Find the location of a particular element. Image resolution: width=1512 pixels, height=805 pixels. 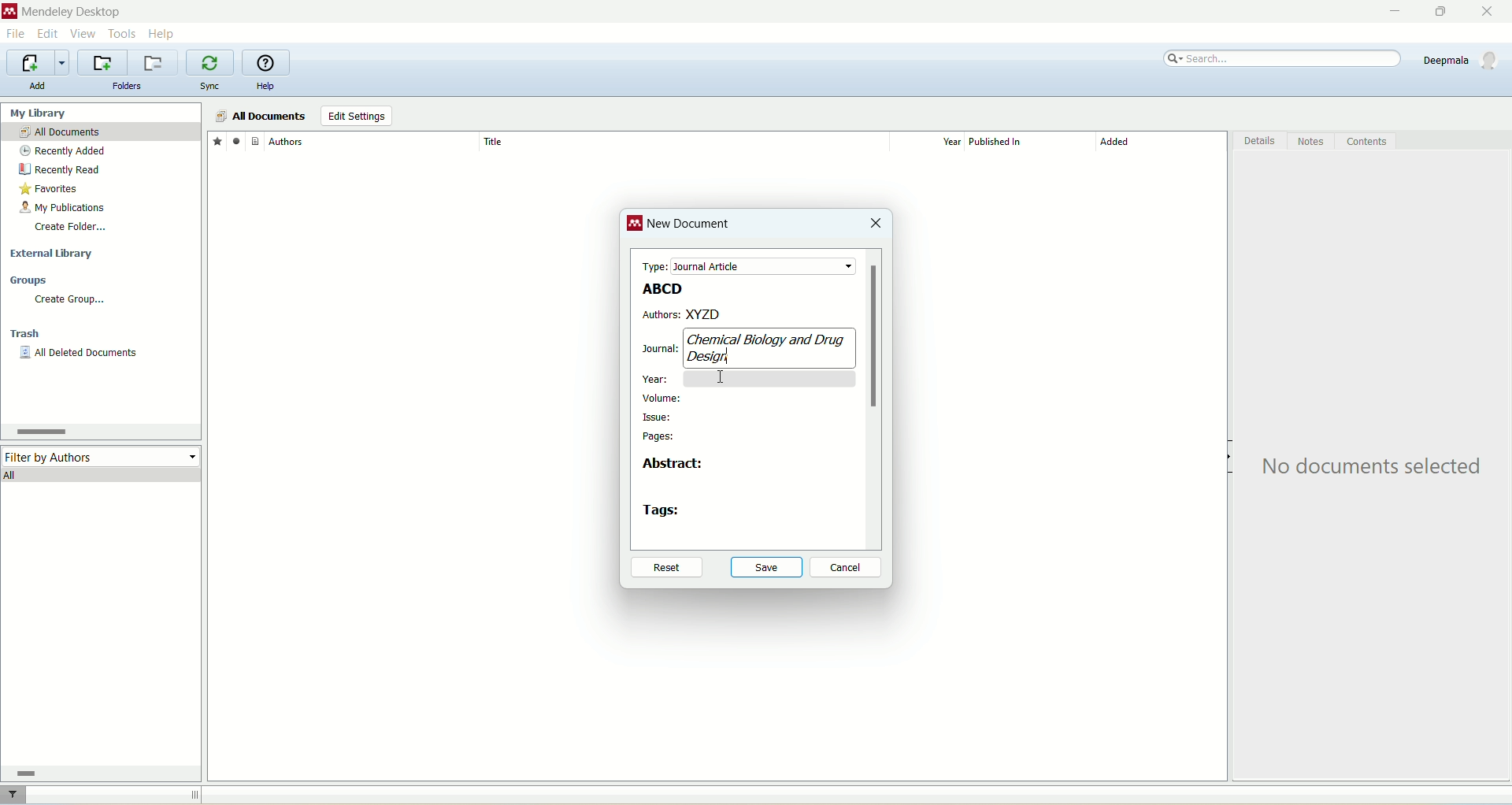

pages is located at coordinates (659, 438).